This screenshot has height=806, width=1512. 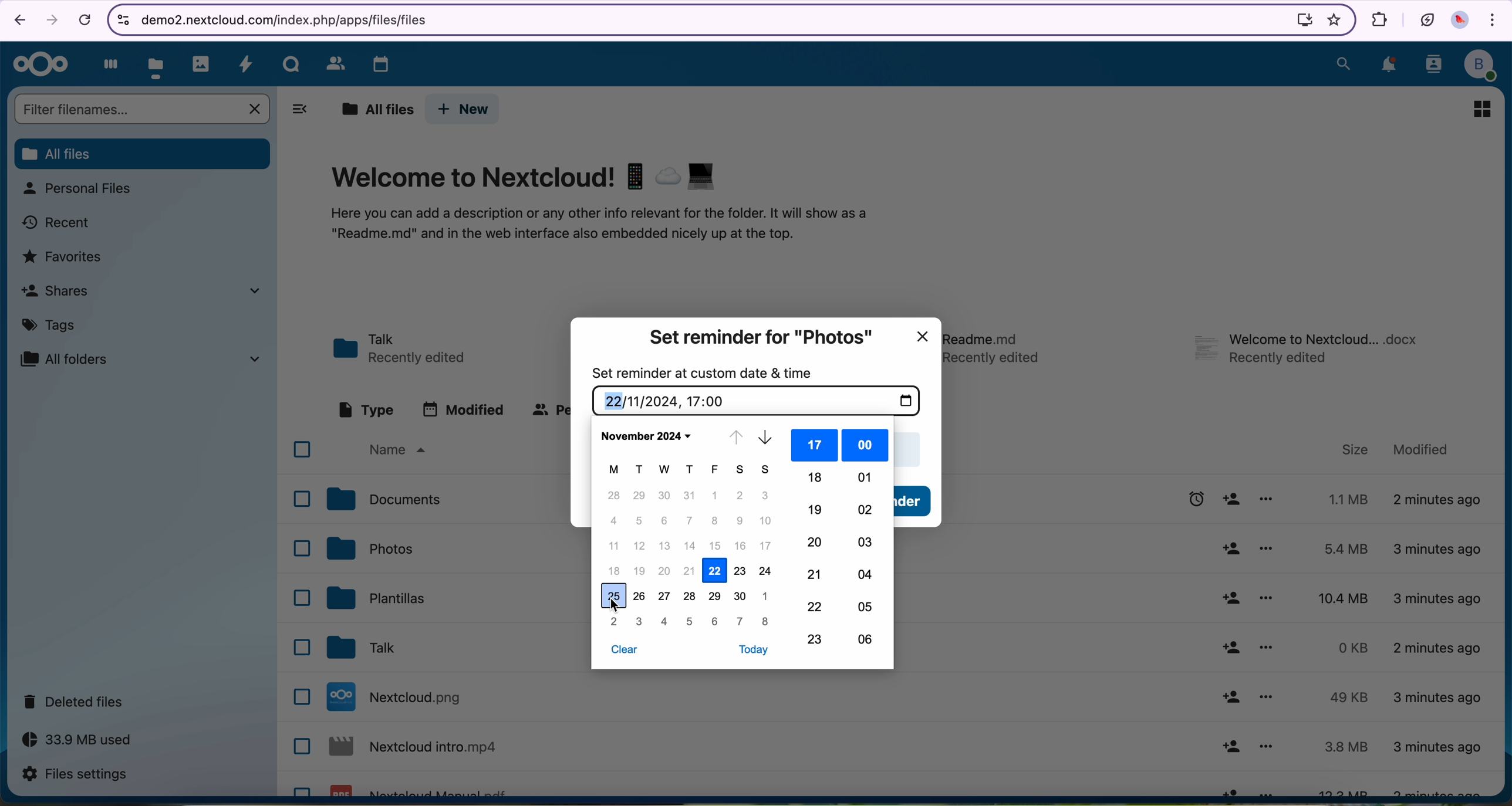 What do you see at coordinates (1438, 652) in the screenshot?
I see `2 minutes ago` at bounding box center [1438, 652].